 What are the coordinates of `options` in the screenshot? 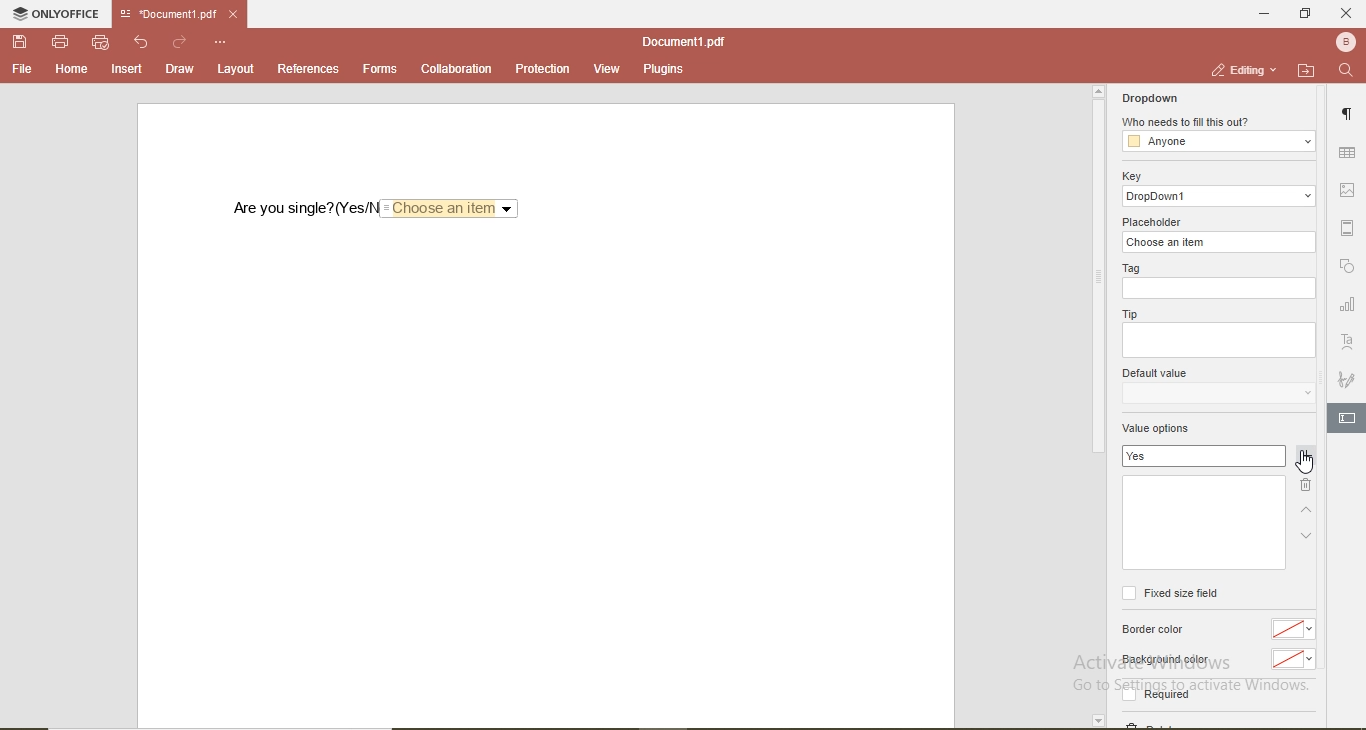 It's located at (221, 43).